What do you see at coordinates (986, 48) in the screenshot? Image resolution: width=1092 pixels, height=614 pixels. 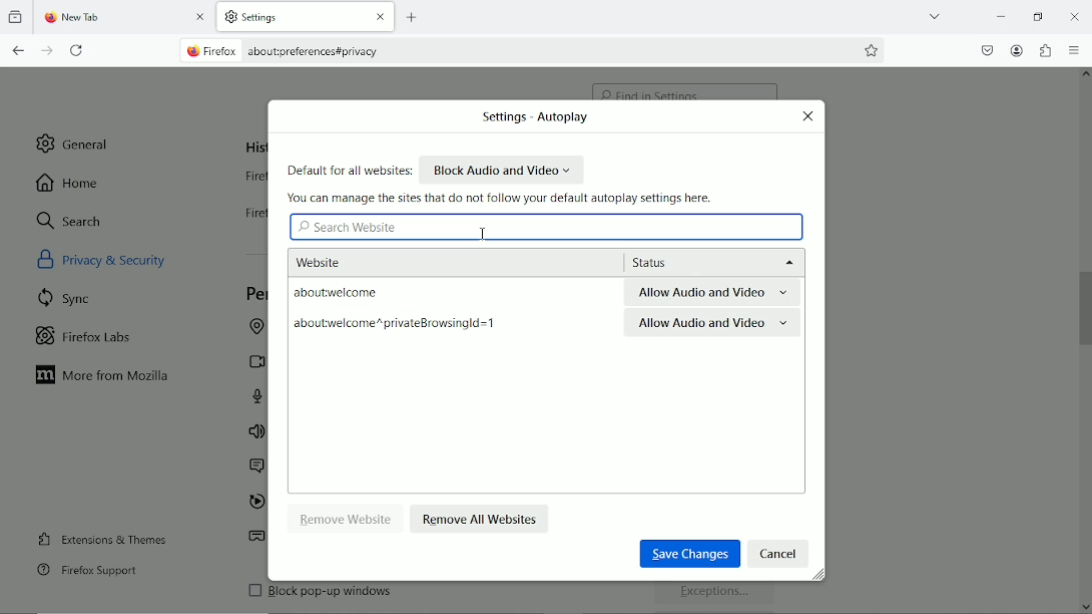 I see `save to pocket` at bounding box center [986, 48].